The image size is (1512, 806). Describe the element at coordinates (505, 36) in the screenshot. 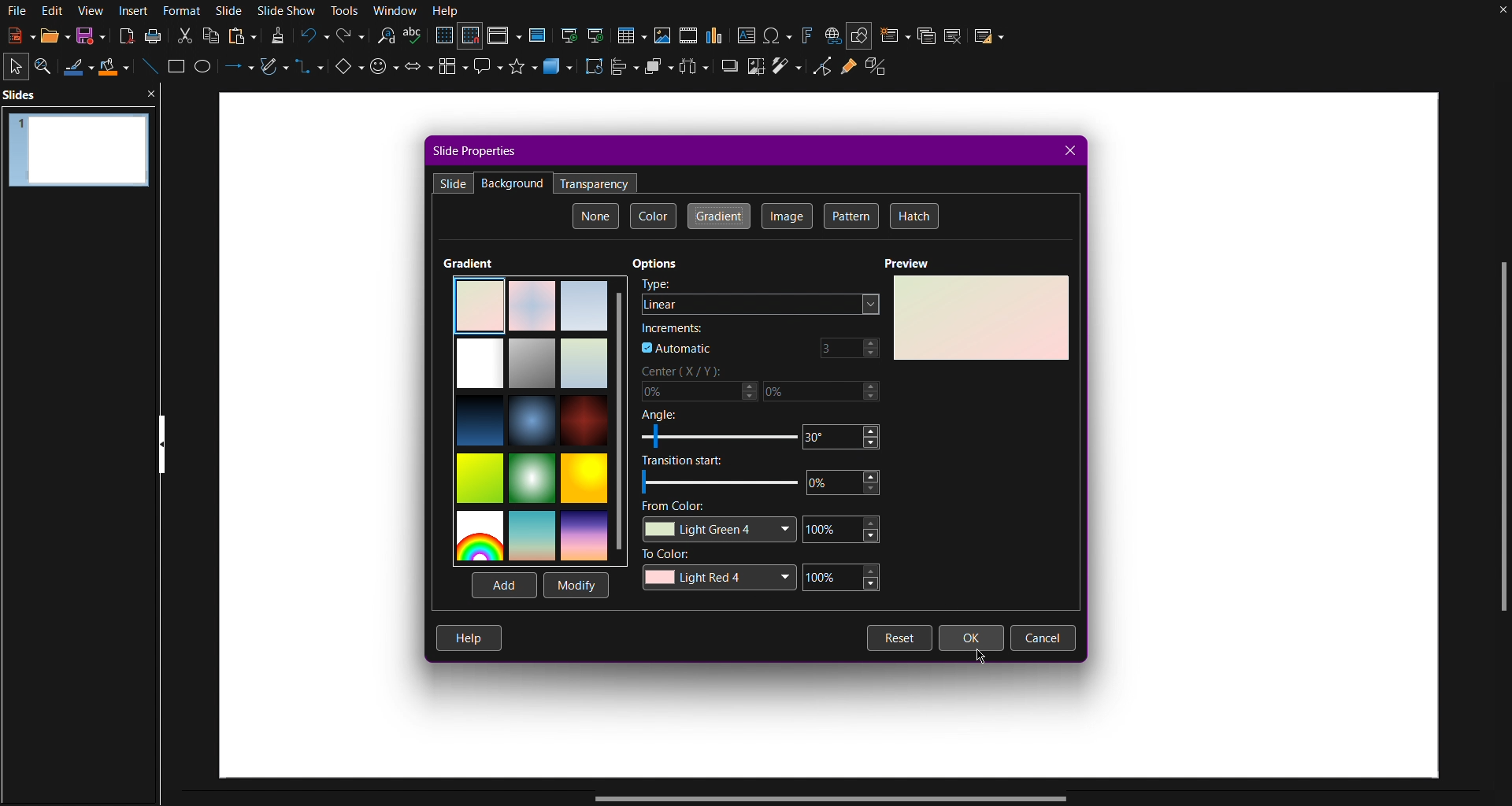

I see `Display Views` at that location.